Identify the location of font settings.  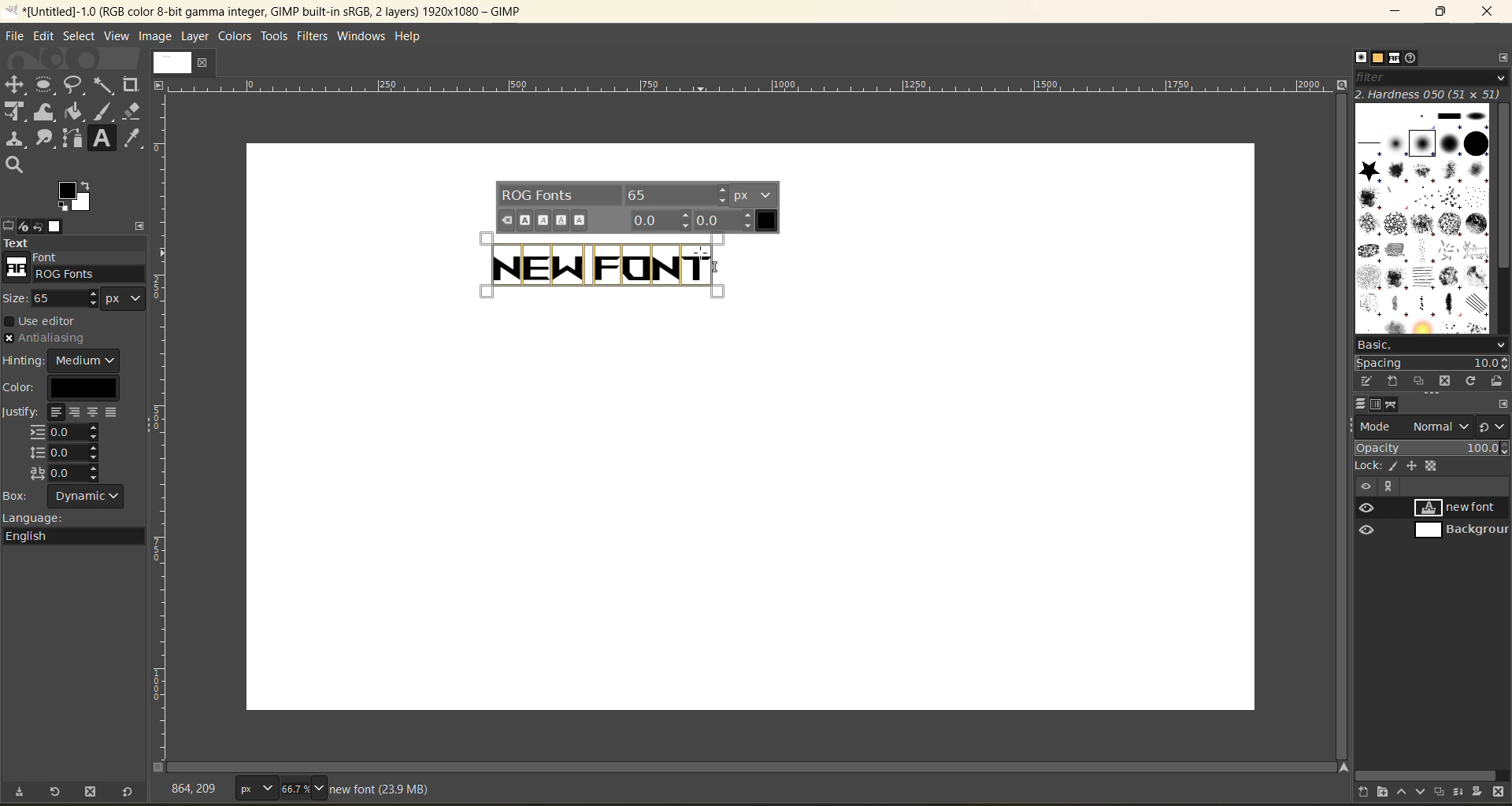
(636, 207).